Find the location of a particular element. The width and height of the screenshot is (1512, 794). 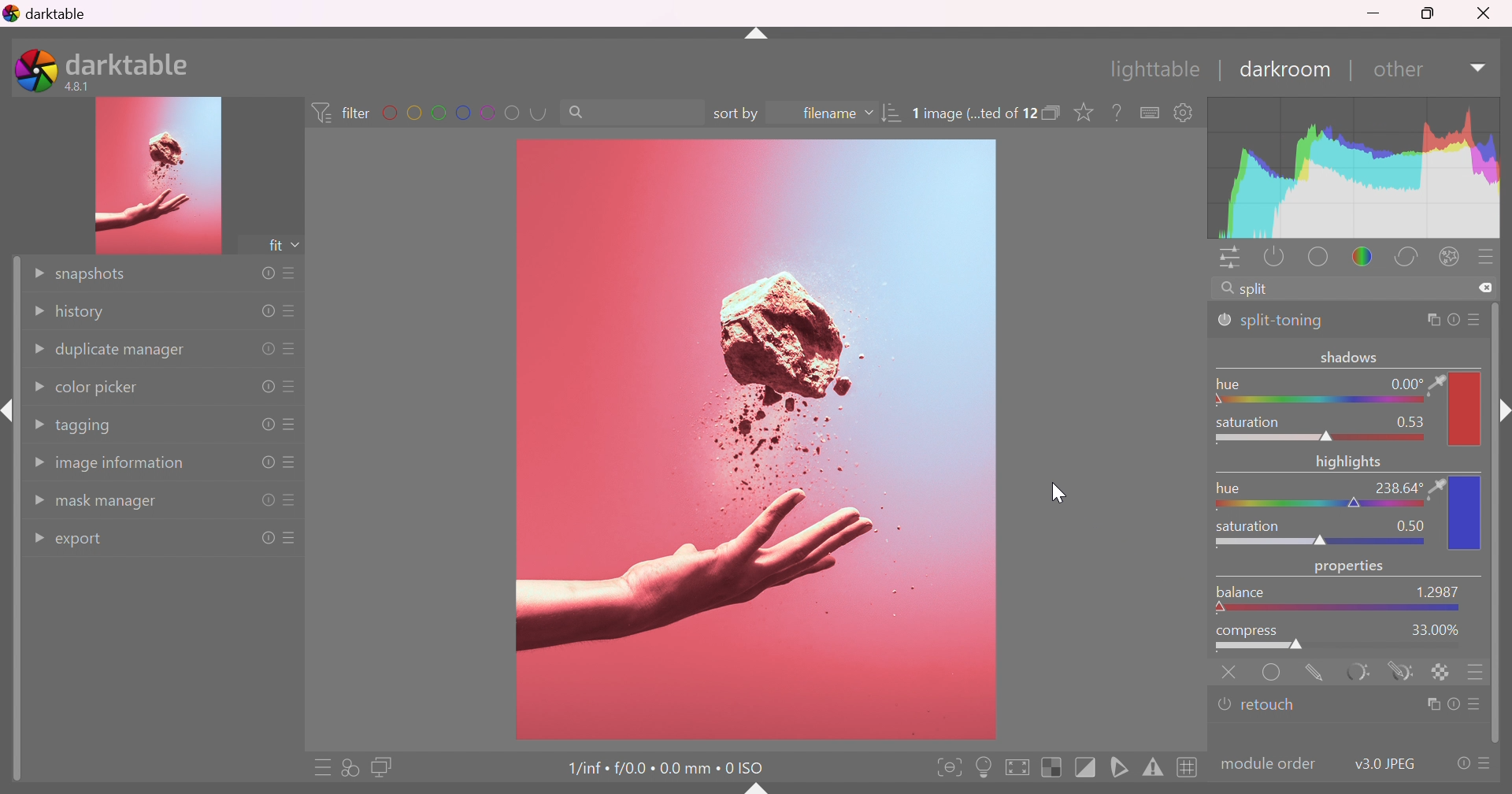

search is located at coordinates (1225, 291).